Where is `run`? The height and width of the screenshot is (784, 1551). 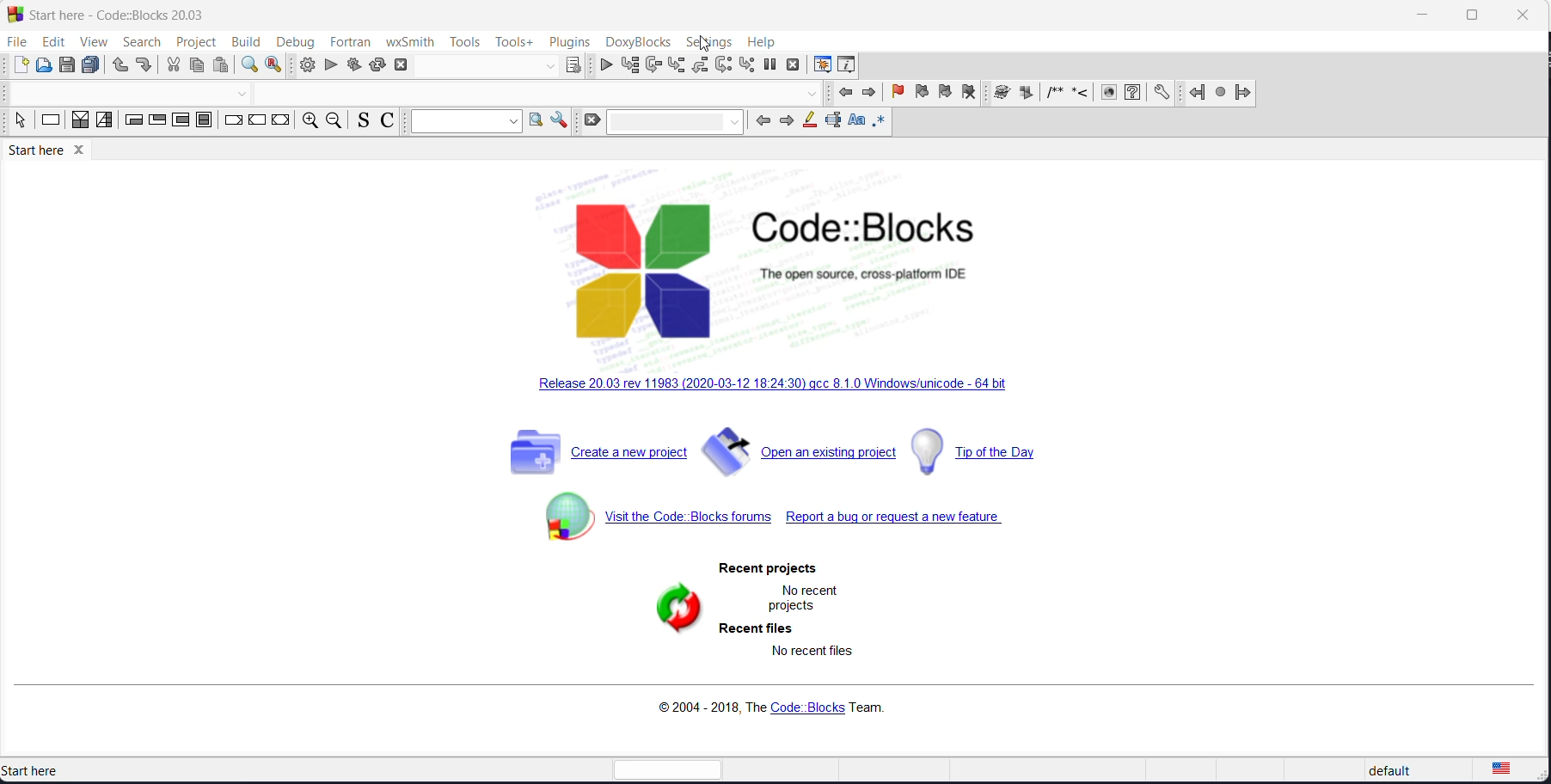
run is located at coordinates (330, 66).